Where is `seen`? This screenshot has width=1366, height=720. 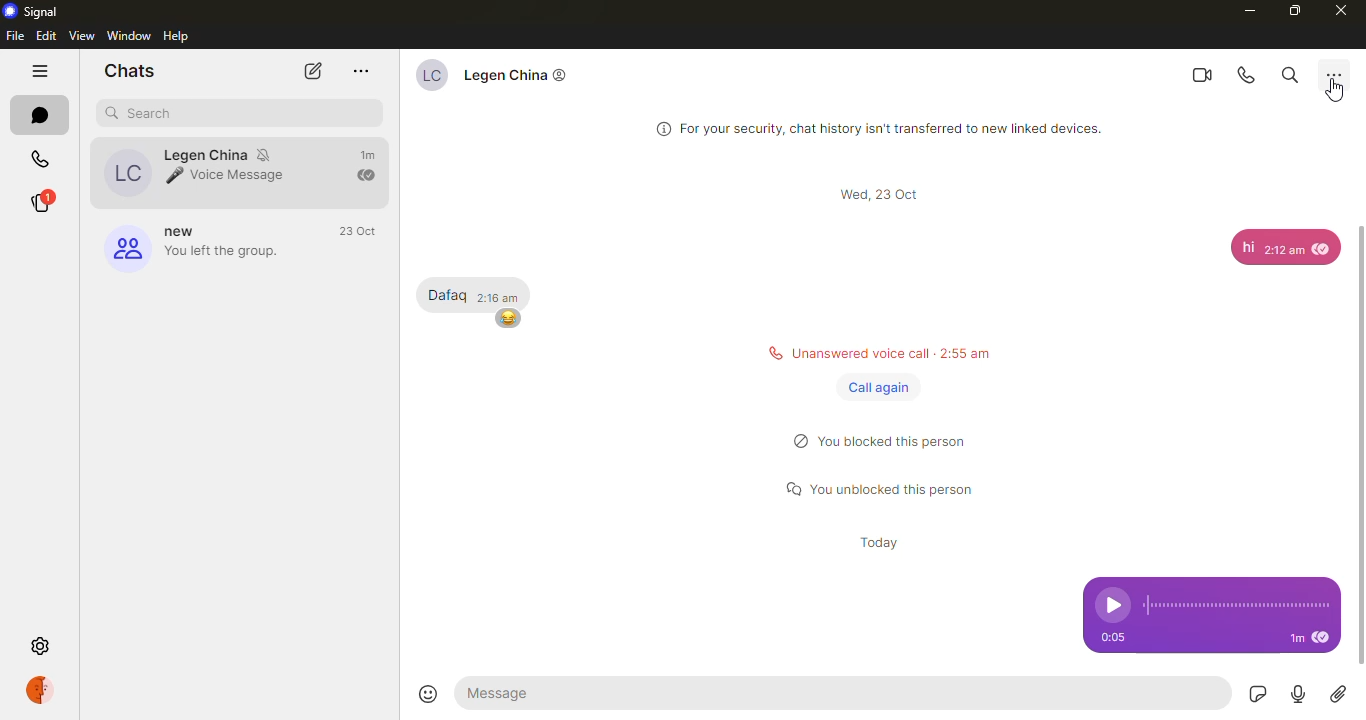 seen is located at coordinates (1320, 638).